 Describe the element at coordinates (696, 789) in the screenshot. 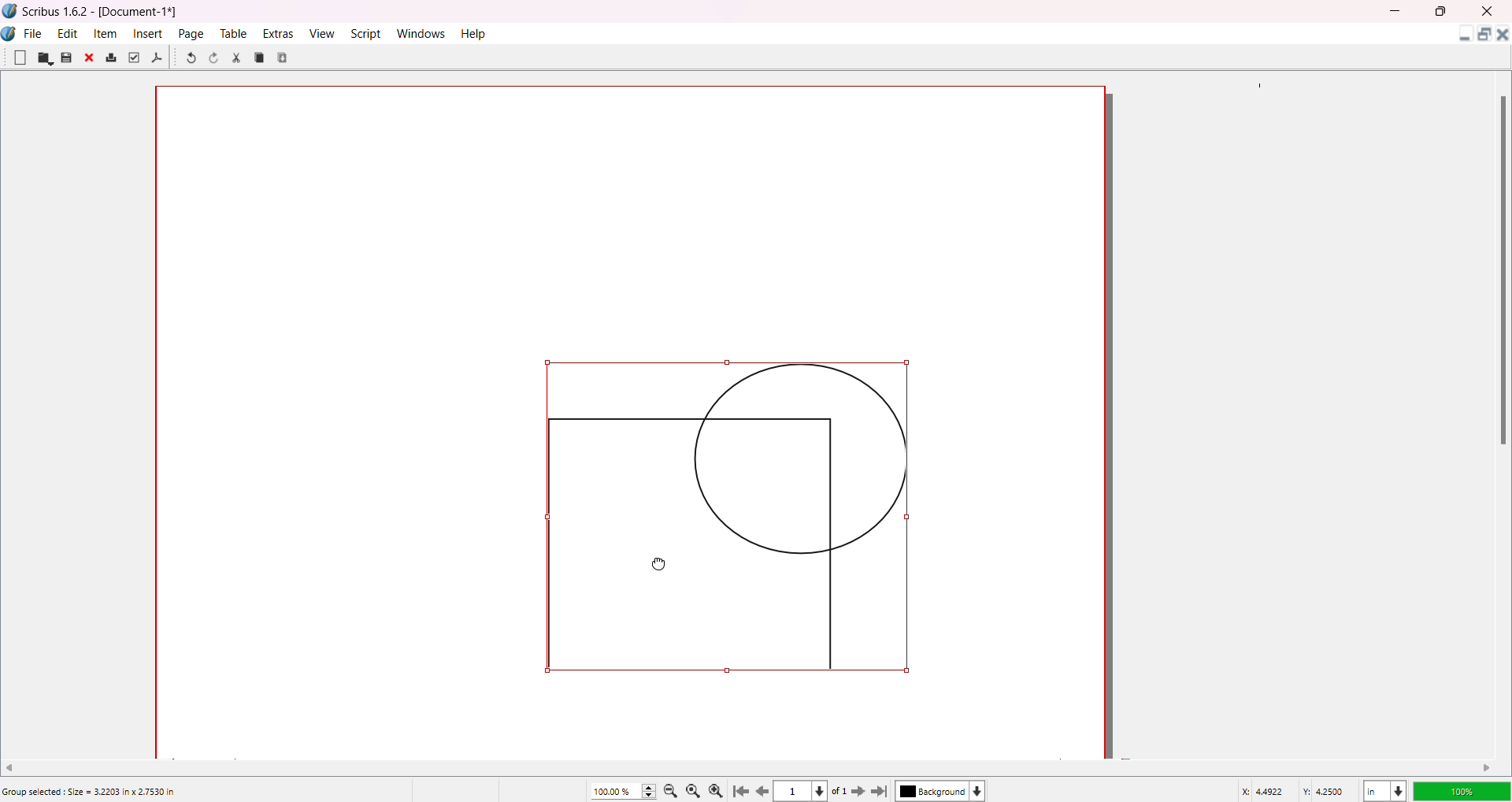

I see `Zoom to 100` at that location.